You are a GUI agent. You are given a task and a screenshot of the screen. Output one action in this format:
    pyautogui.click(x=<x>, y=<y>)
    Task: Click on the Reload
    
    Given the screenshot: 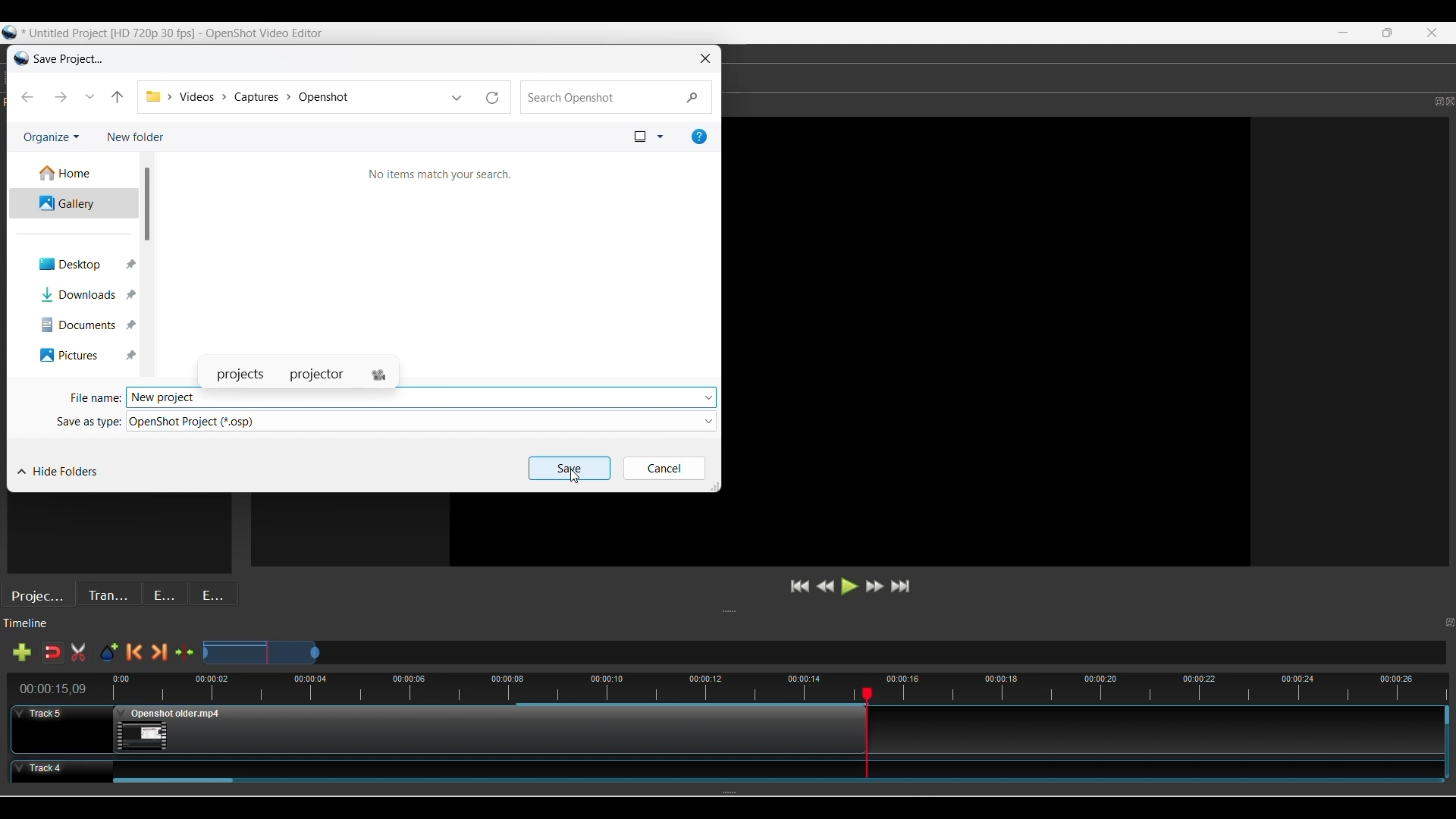 What is the action you would take?
    pyautogui.click(x=493, y=97)
    